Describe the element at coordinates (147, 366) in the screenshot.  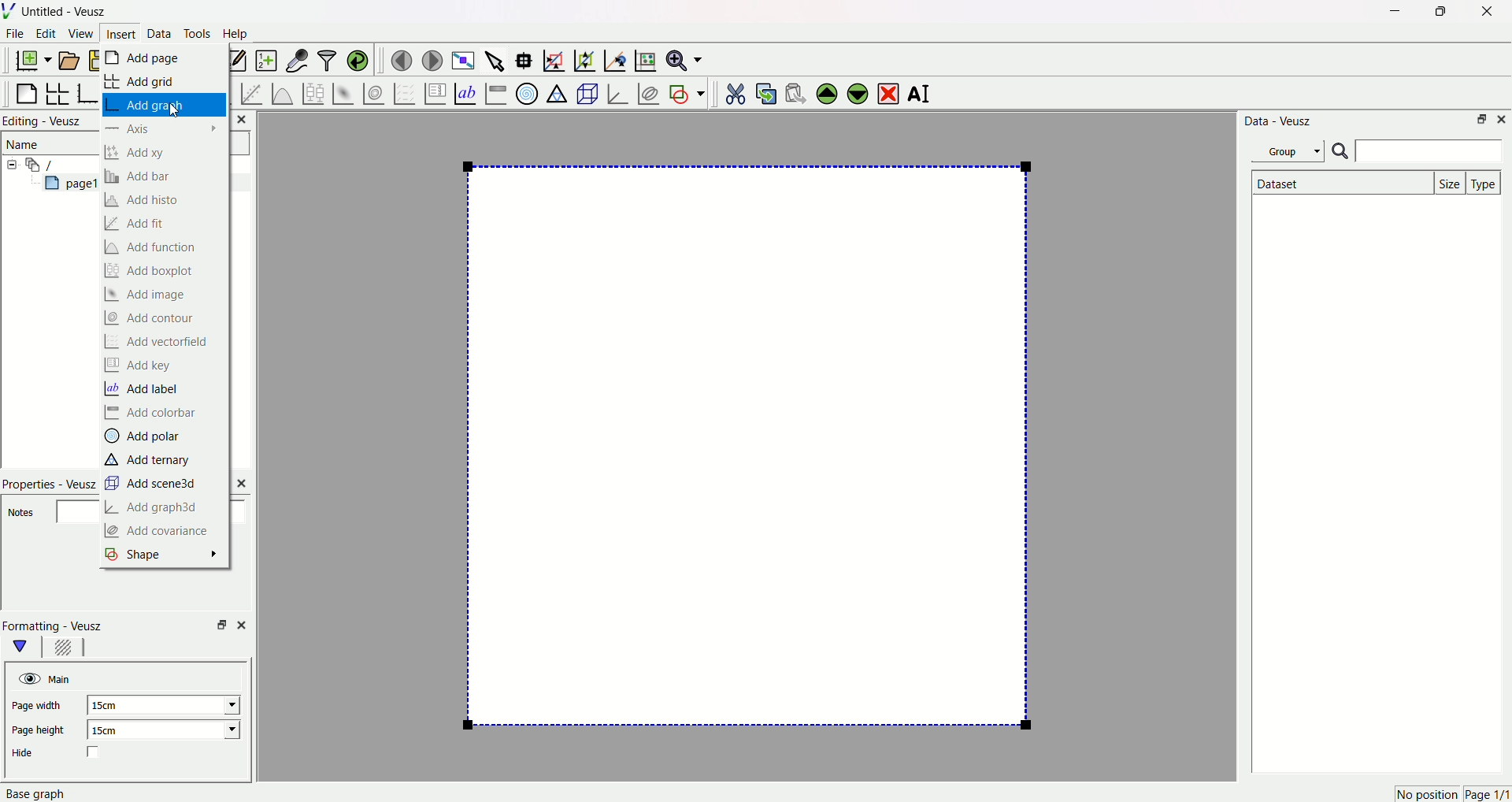
I see `Add key` at that location.